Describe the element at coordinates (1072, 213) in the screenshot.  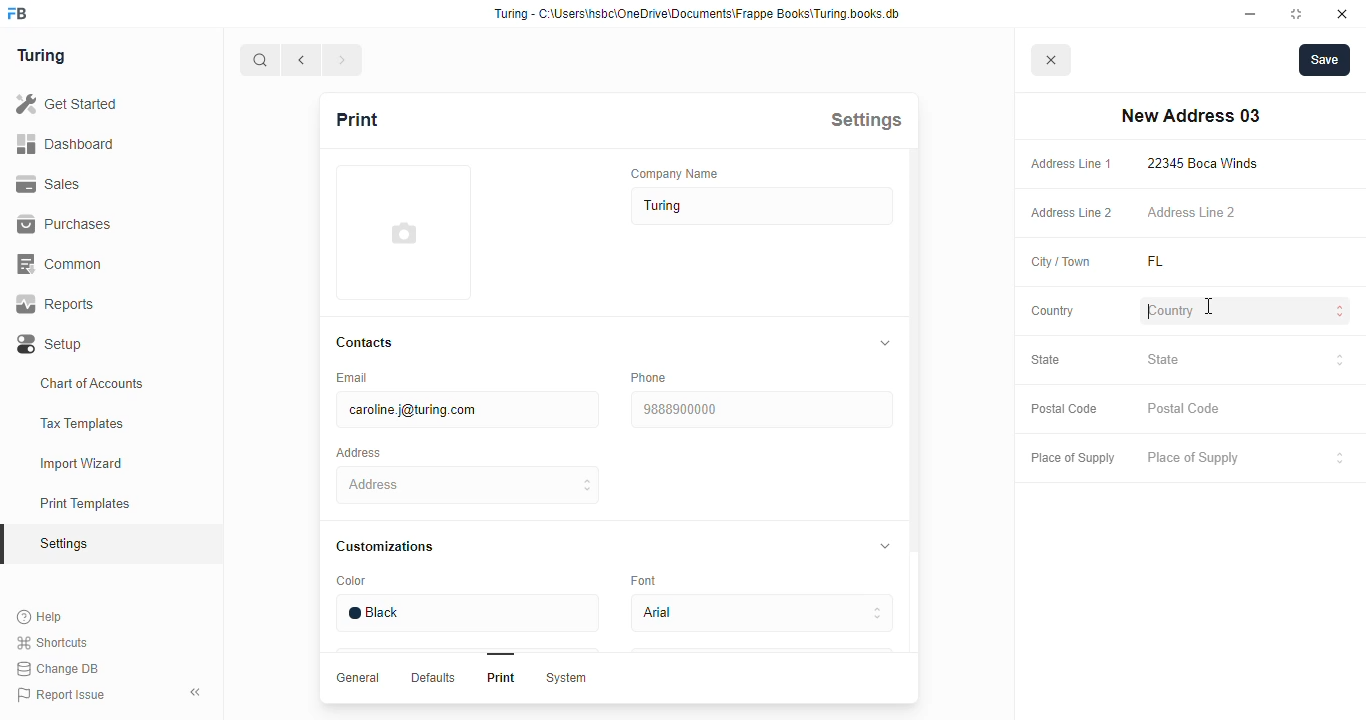
I see `address line 2` at that location.